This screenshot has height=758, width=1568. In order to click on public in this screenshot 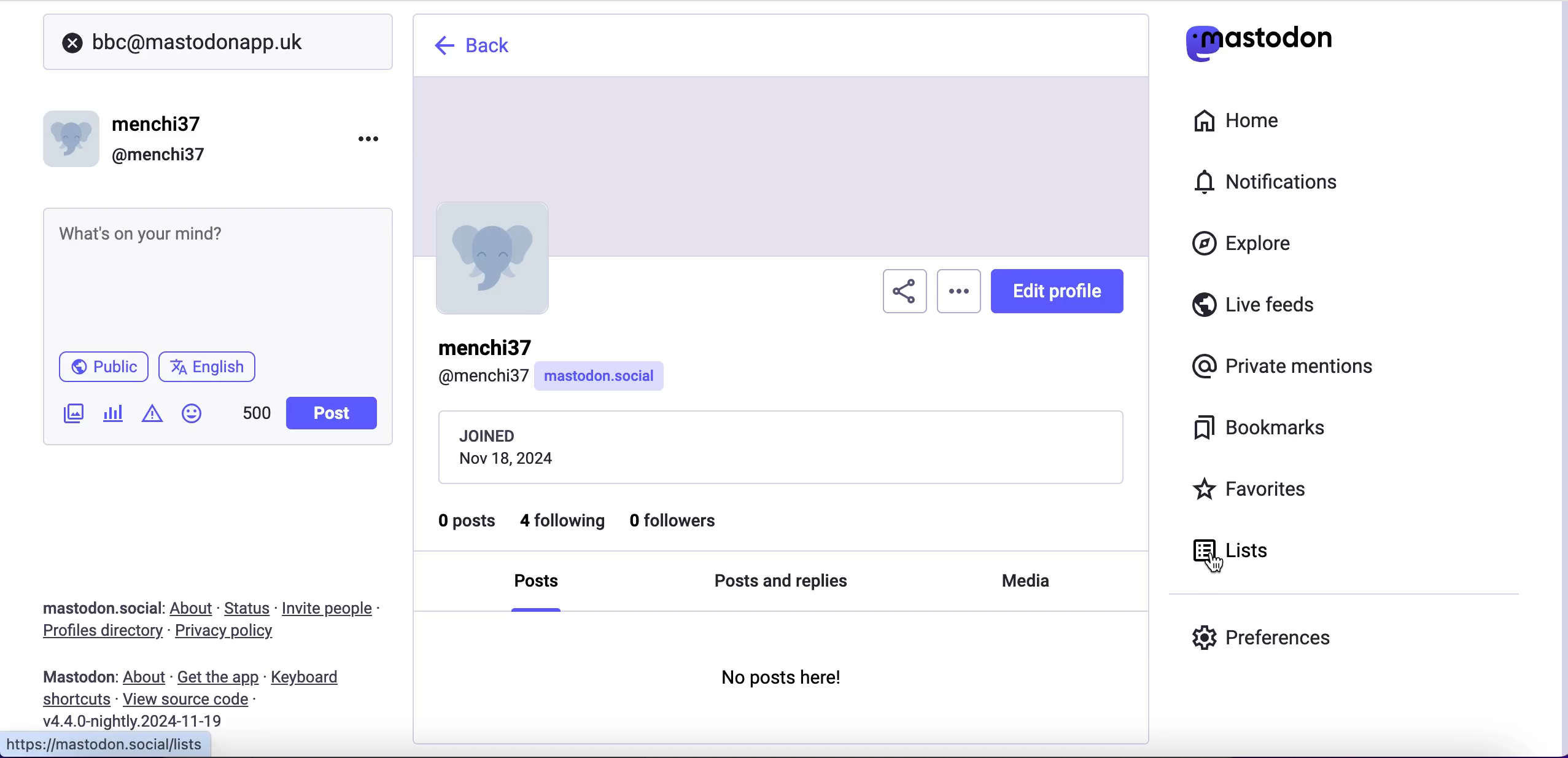, I will do `click(102, 370)`.